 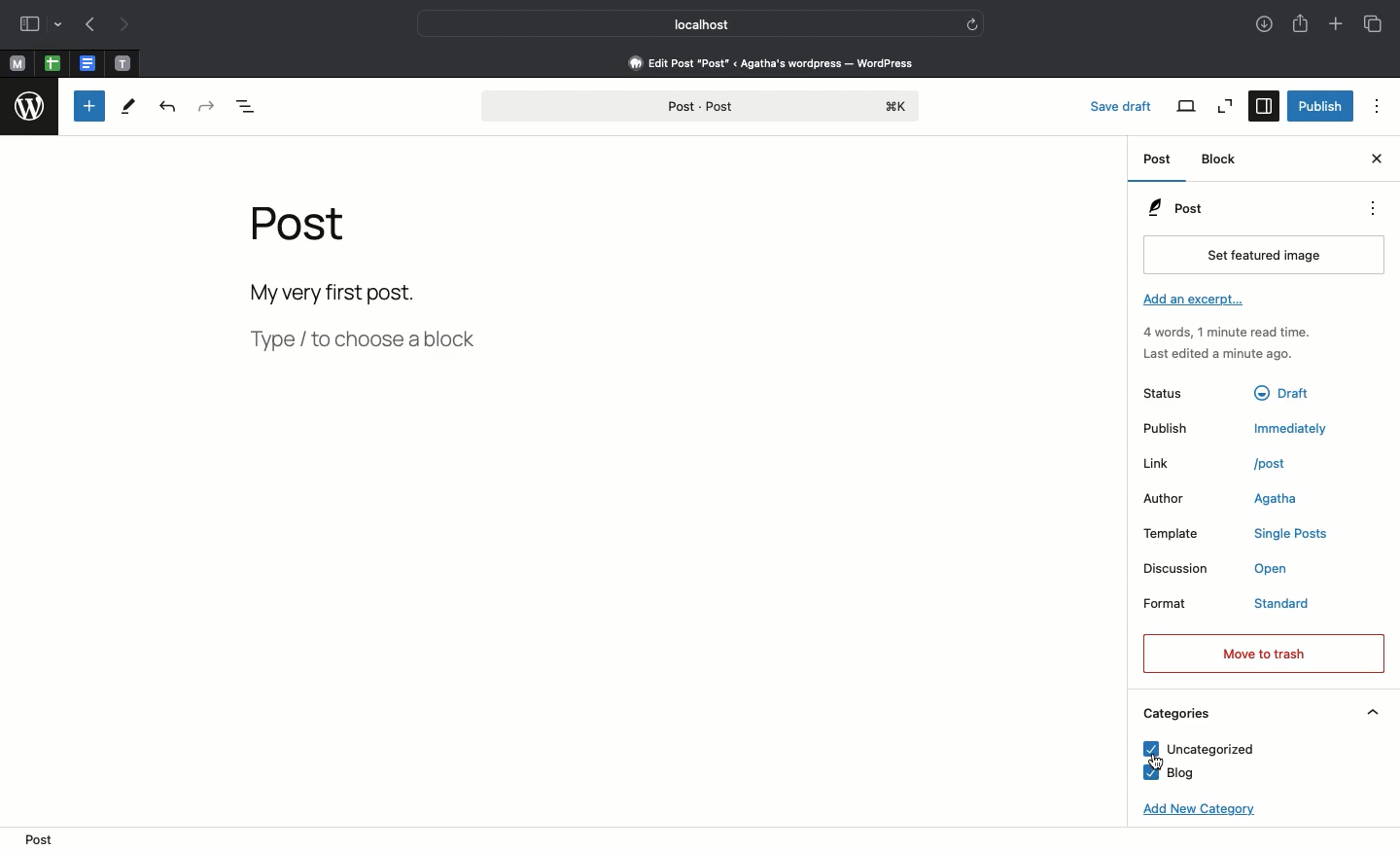 What do you see at coordinates (1223, 106) in the screenshot?
I see `Maximize` at bounding box center [1223, 106].